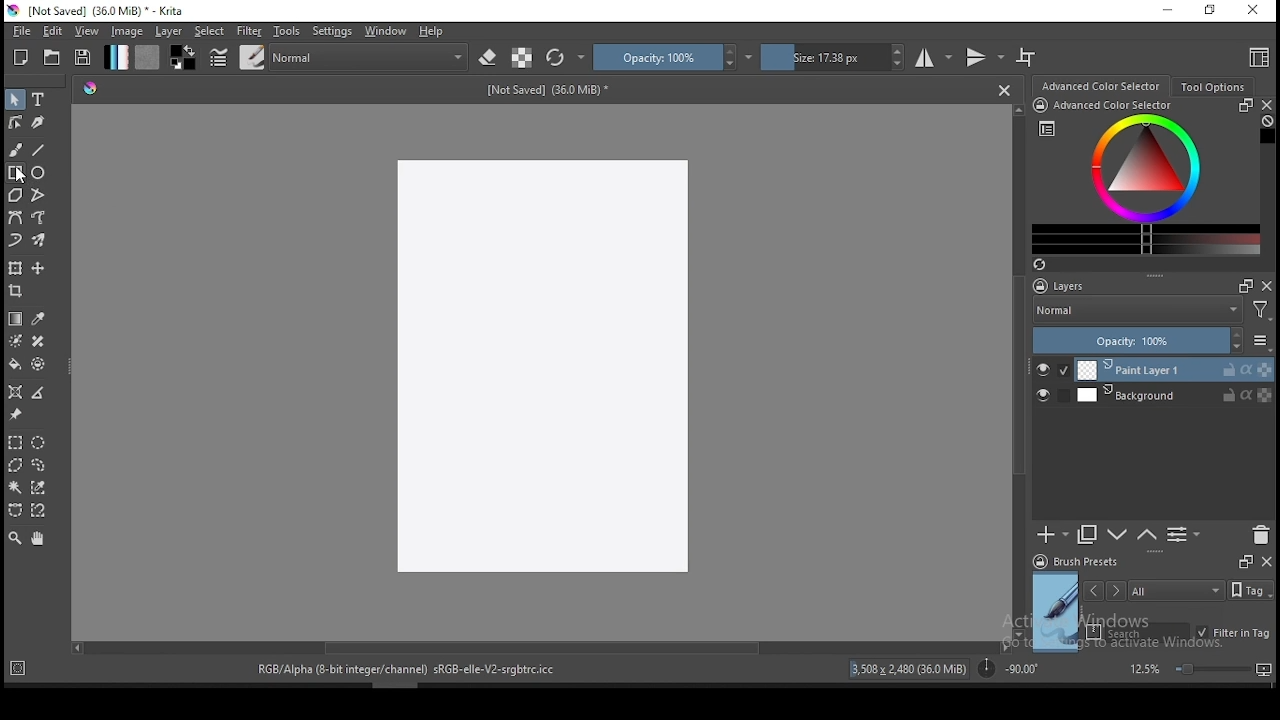 The height and width of the screenshot is (720, 1280). What do you see at coordinates (1261, 313) in the screenshot?
I see `Filter` at bounding box center [1261, 313].